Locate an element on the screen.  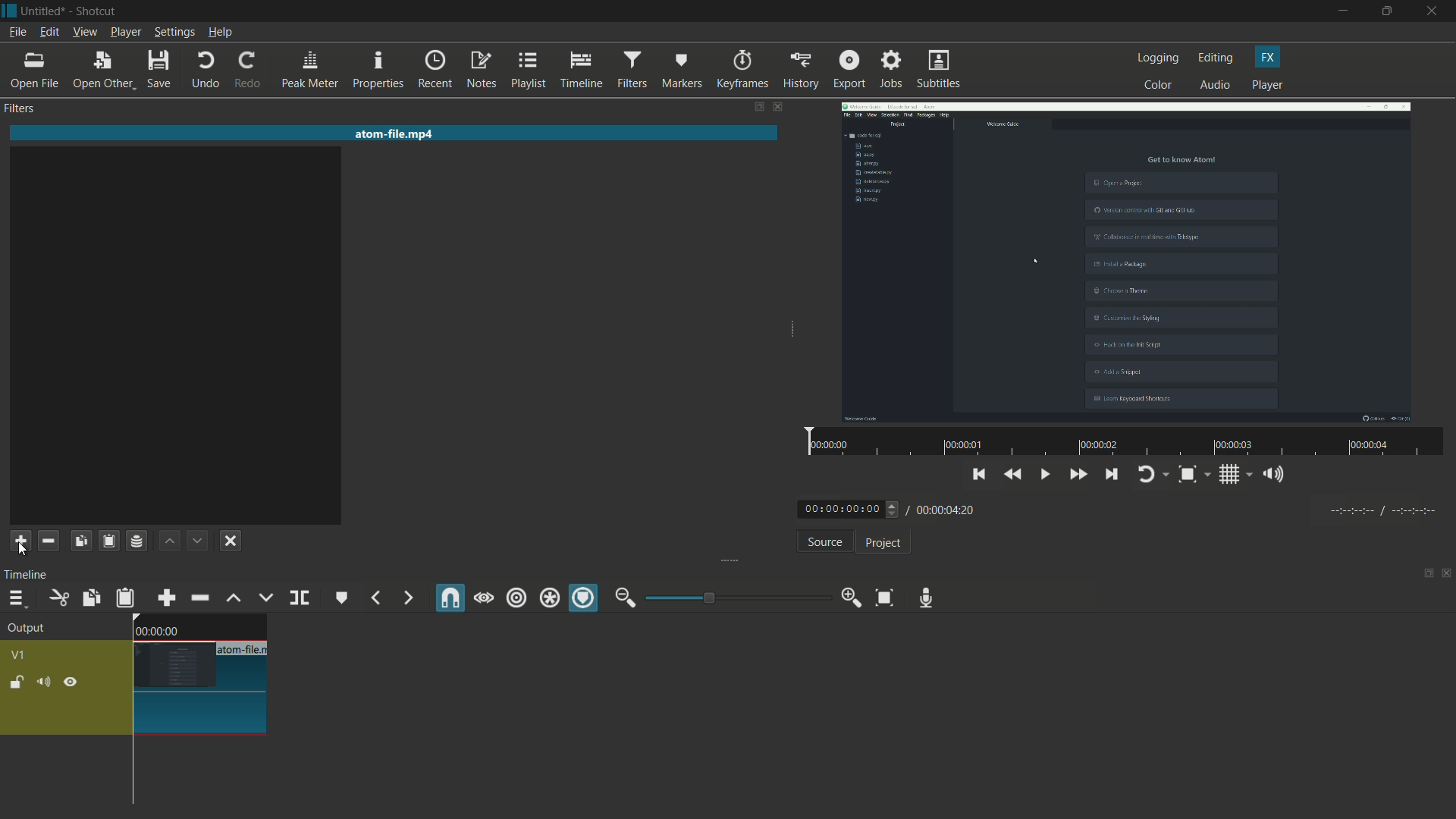
split at playhead is located at coordinates (301, 599).